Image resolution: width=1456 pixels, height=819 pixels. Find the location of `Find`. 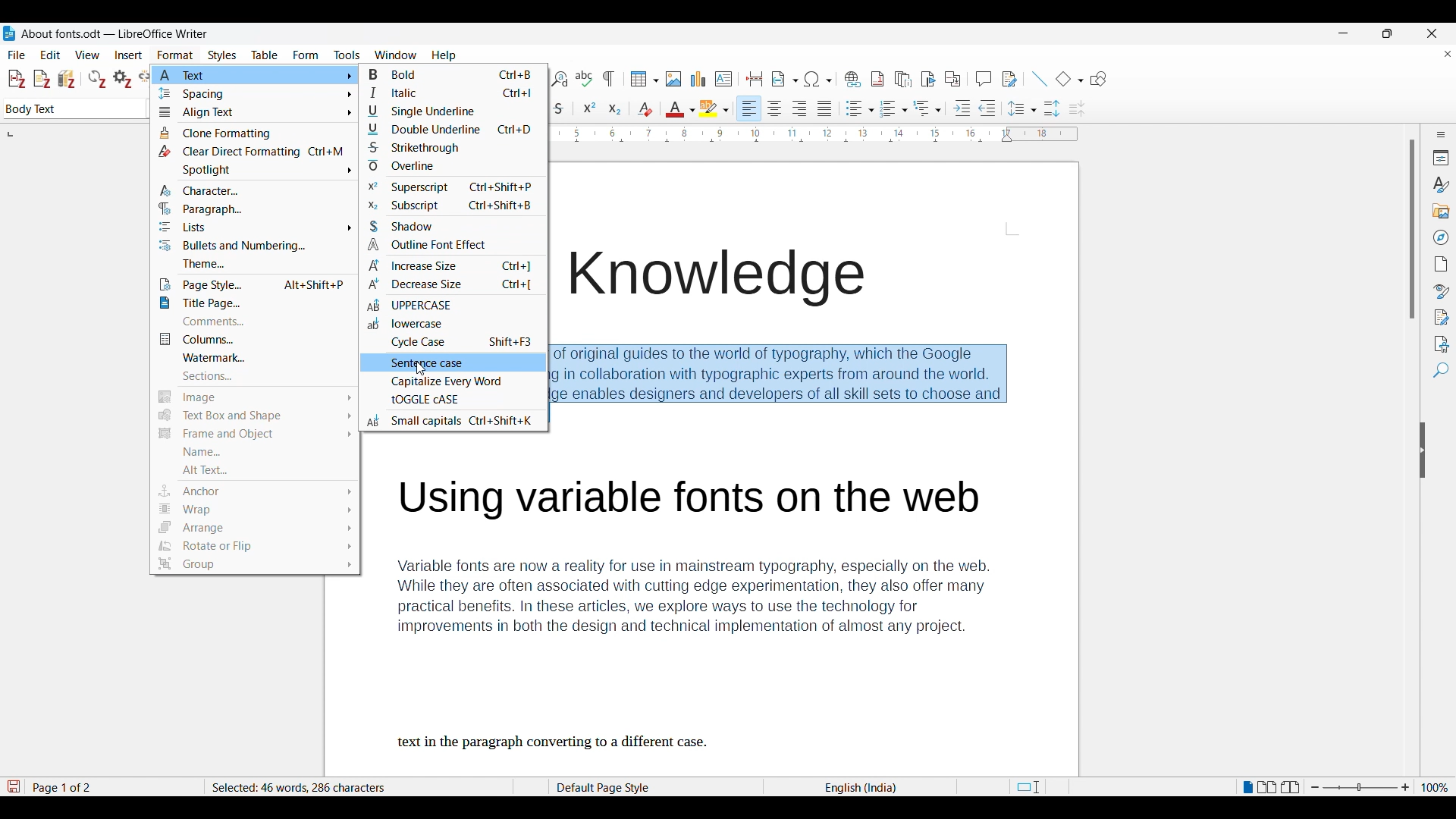

Find is located at coordinates (1441, 370).